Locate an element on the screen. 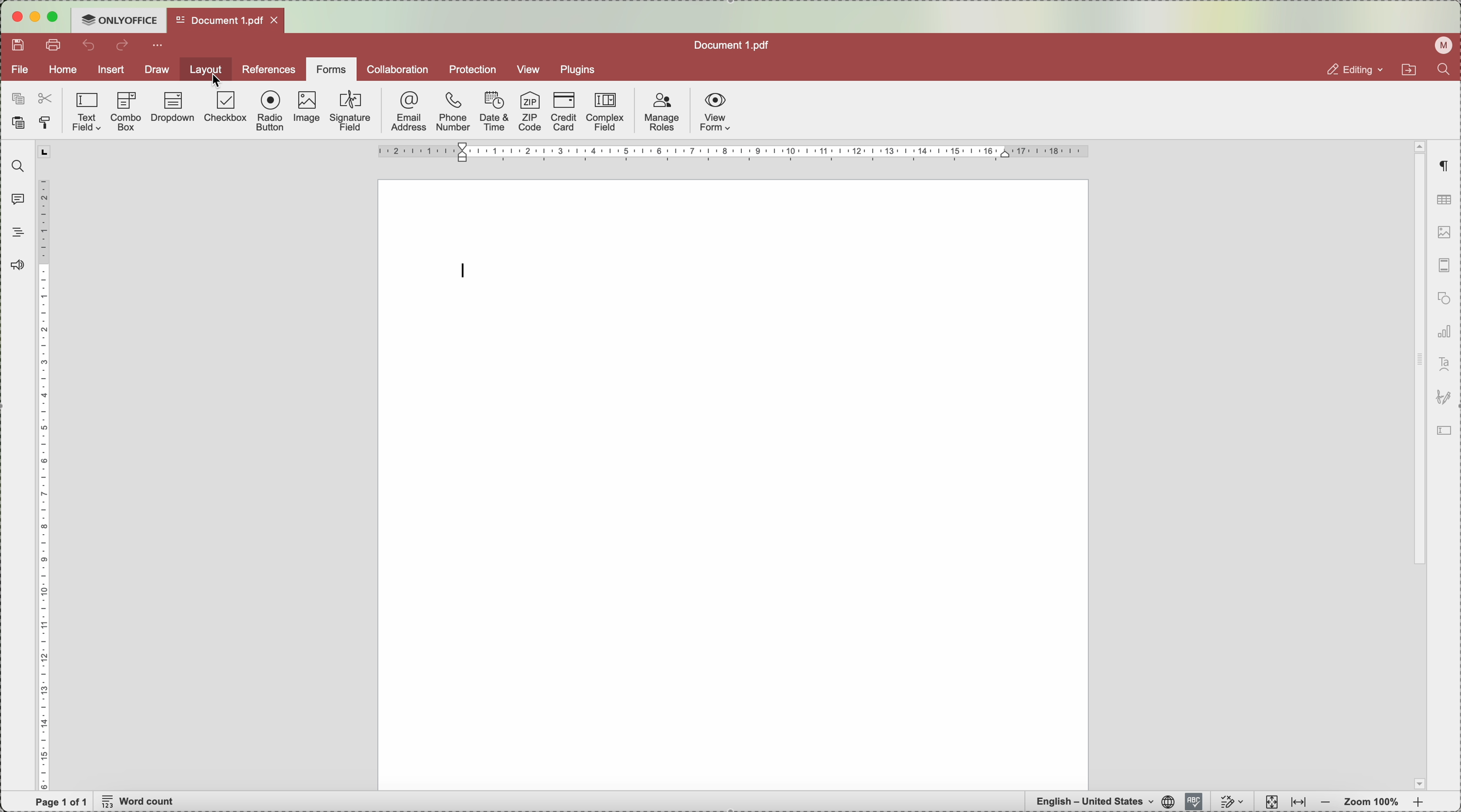 Image resolution: width=1461 pixels, height=812 pixels. page 1 of 1 is located at coordinates (62, 802).